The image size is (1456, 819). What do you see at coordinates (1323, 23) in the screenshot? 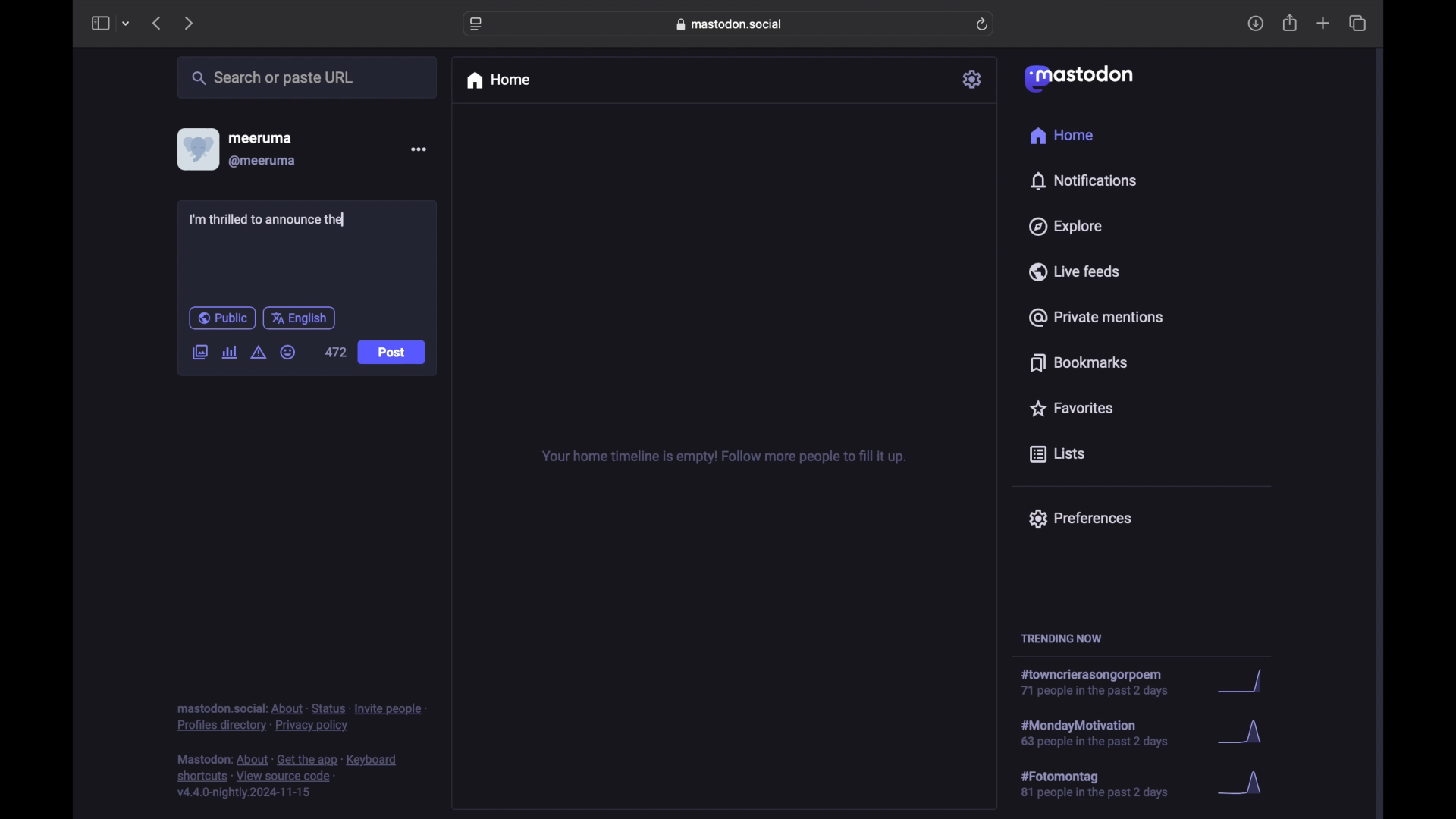
I see `new tab overview` at bounding box center [1323, 23].